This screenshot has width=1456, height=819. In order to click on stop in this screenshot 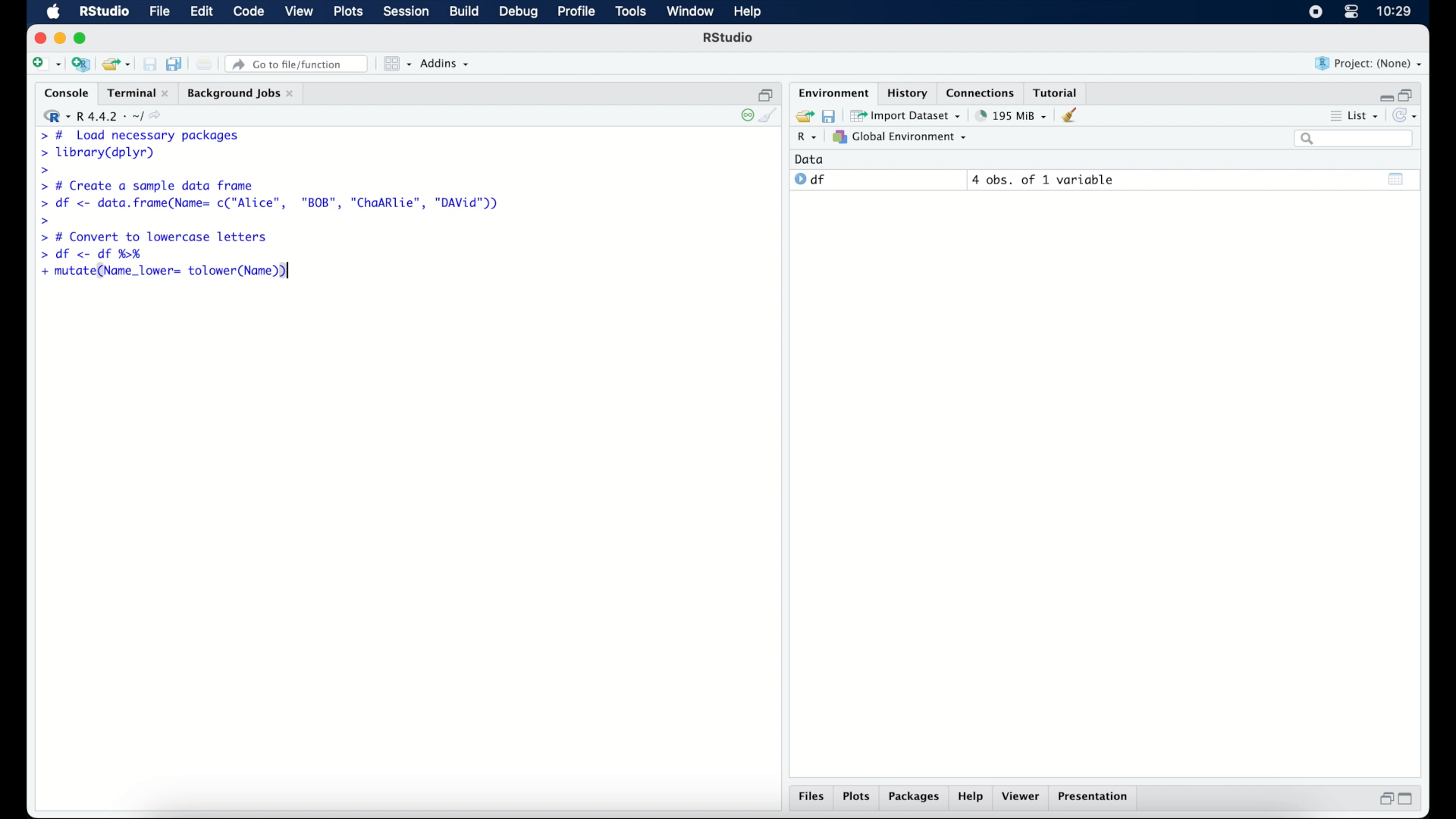, I will do `click(745, 115)`.